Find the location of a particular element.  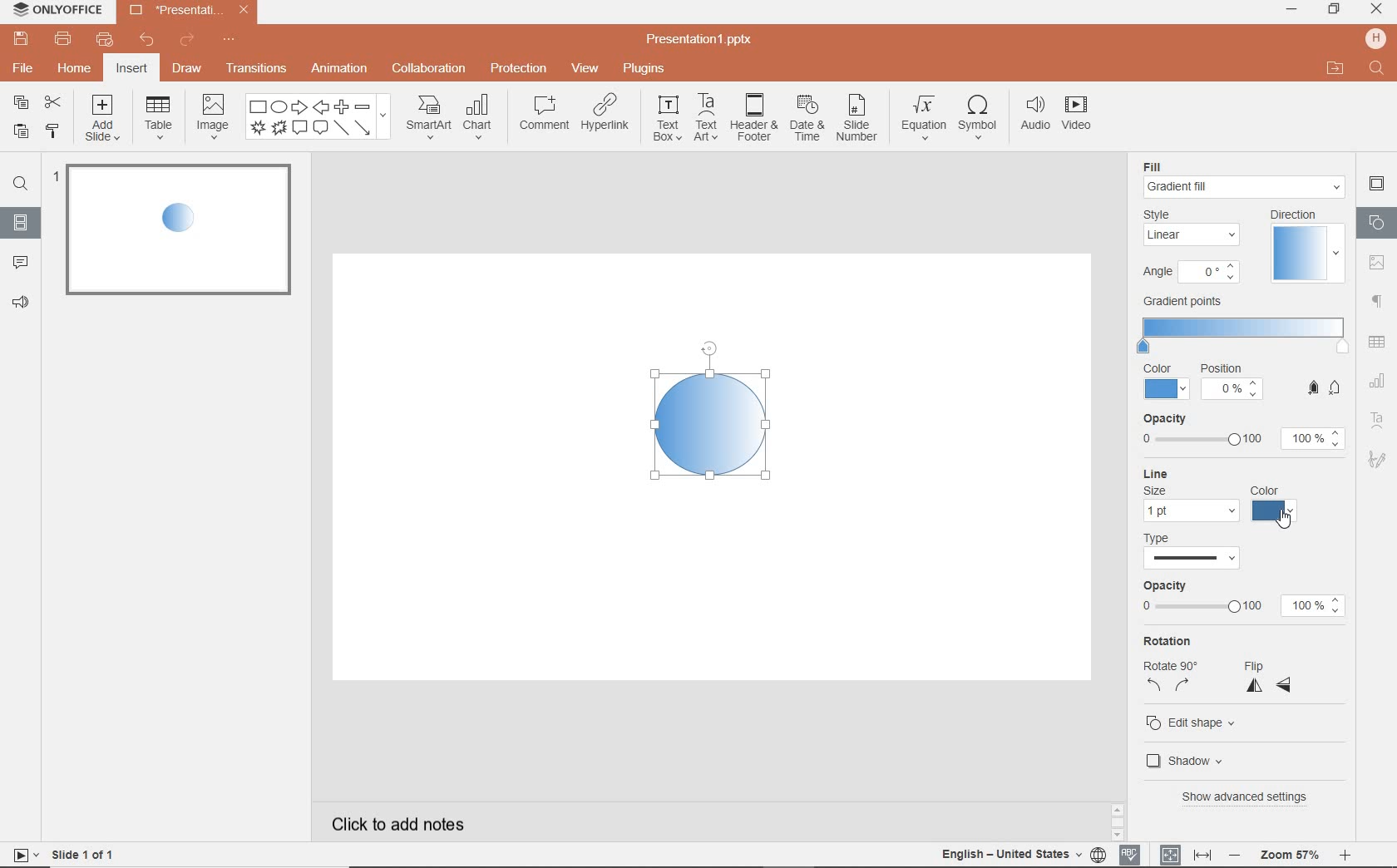

protection is located at coordinates (518, 70).